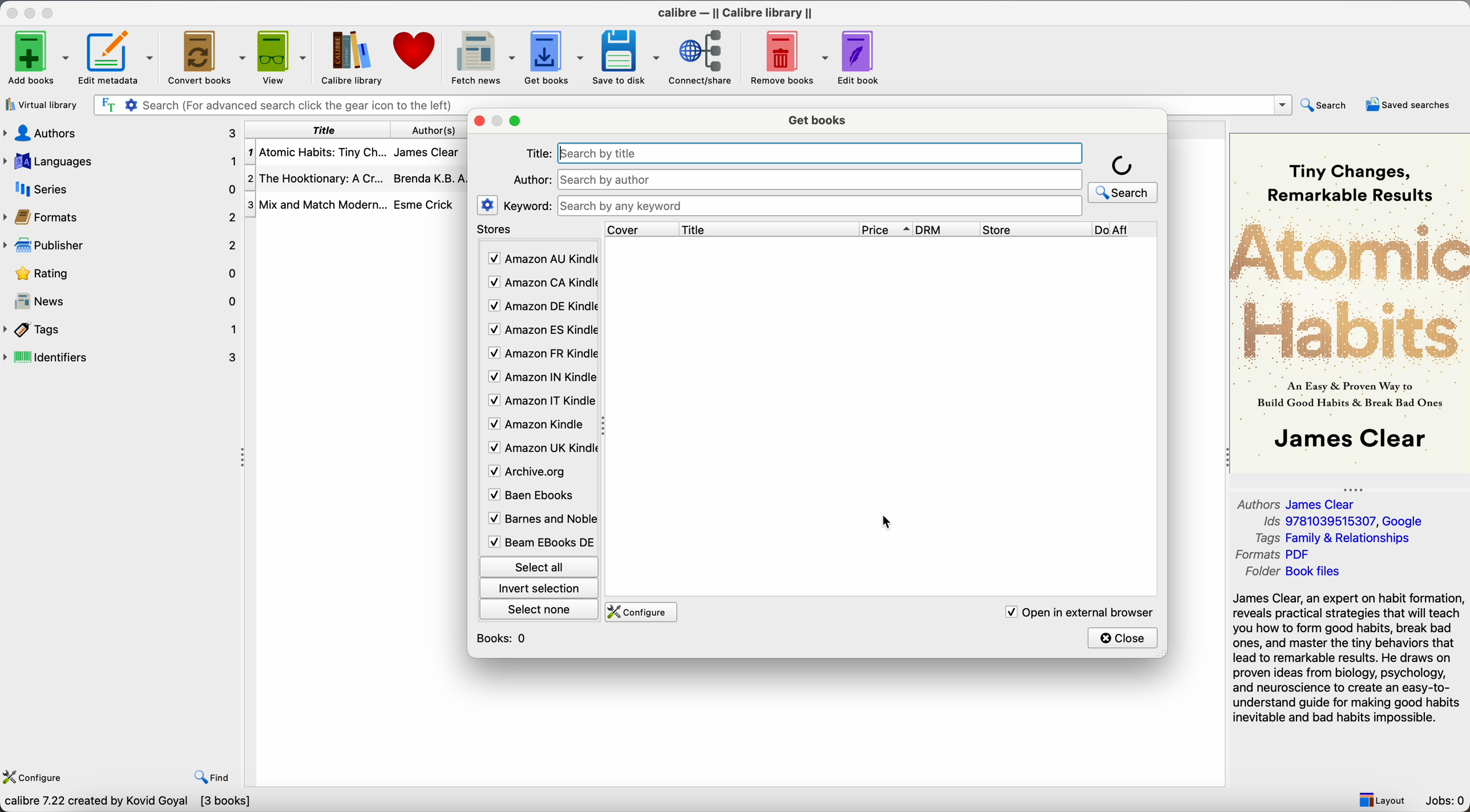 The height and width of the screenshot is (812, 1470). Describe the element at coordinates (434, 131) in the screenshot. I see `authors` at that location.